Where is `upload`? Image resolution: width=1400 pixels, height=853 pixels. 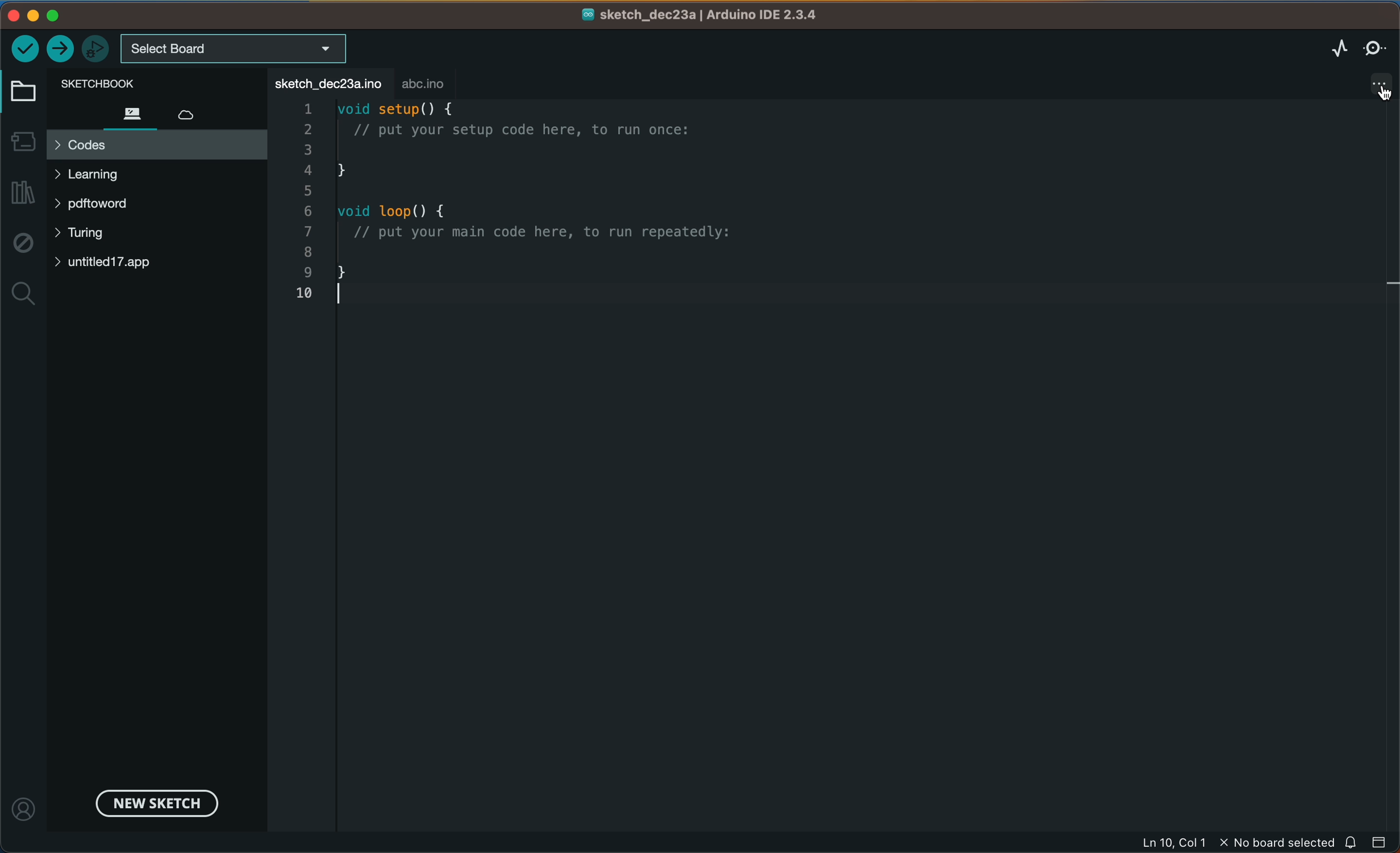 upload is located at coordinates (60, 49).